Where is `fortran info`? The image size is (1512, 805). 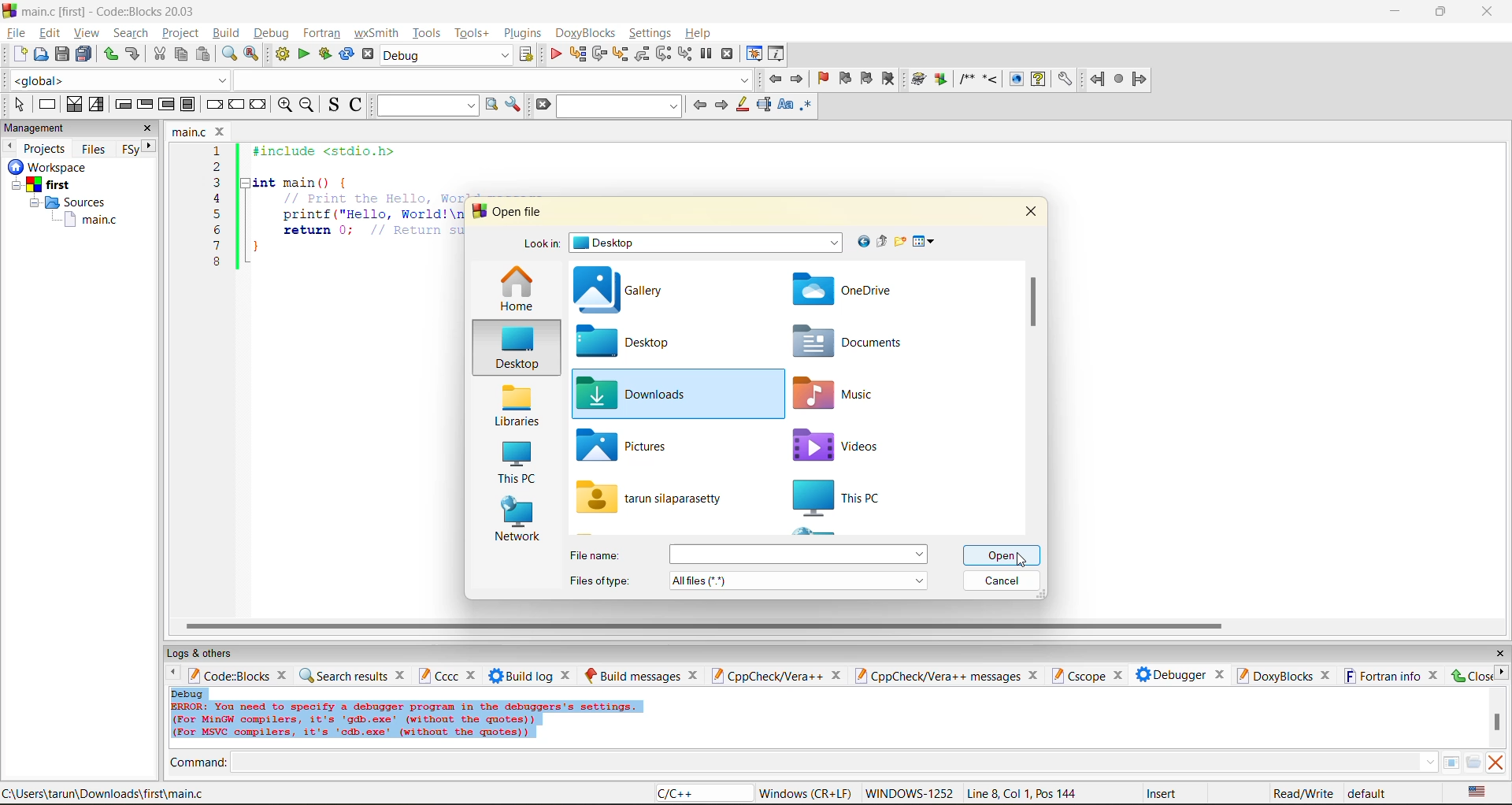
fortran info is located at coordinates (1383, 676).